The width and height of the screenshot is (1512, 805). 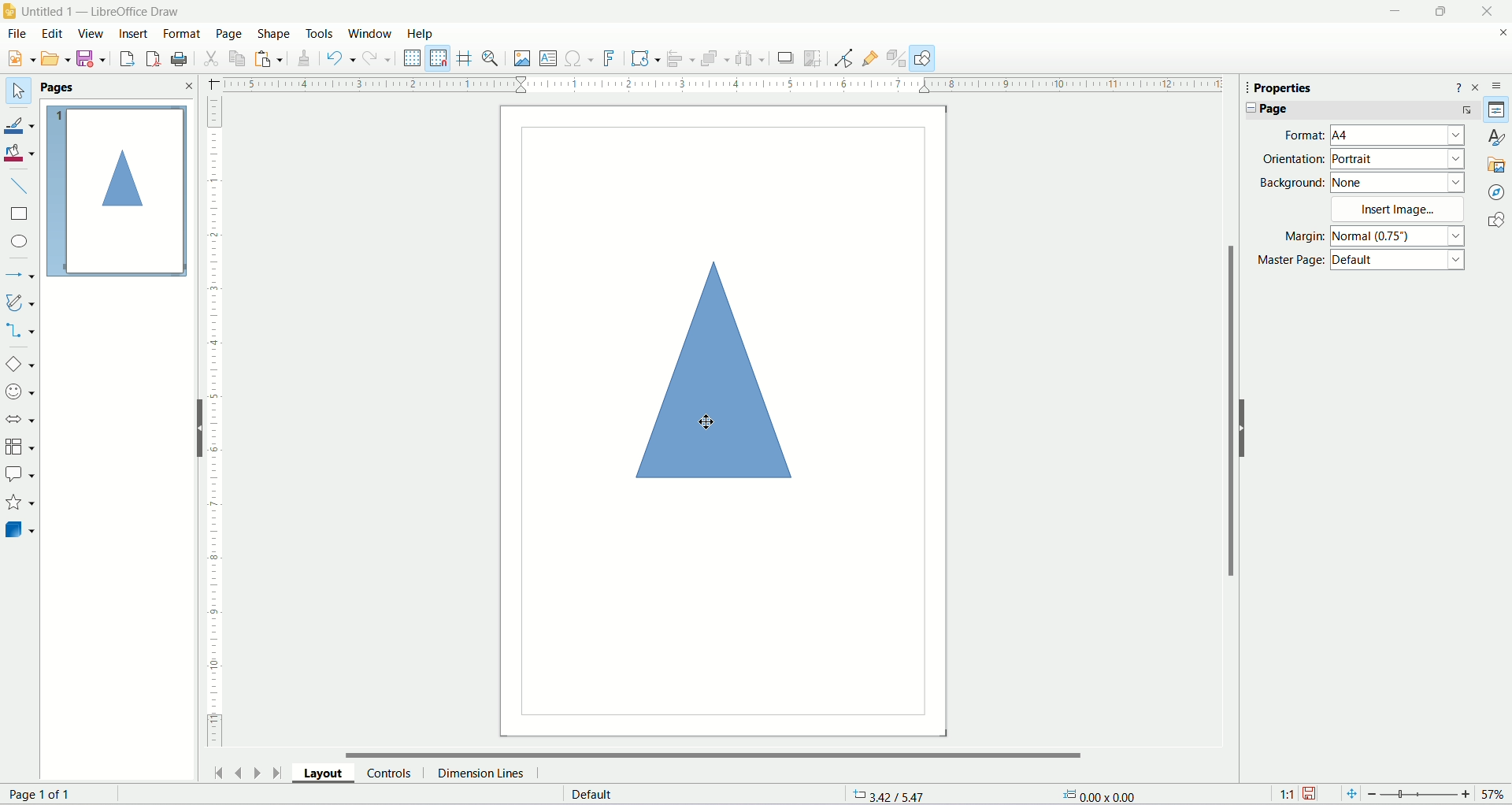 What do you see at coordinates (22, 392) in the screenshot?
I see `Symbol Shapes` at bounding box center [22, 392].